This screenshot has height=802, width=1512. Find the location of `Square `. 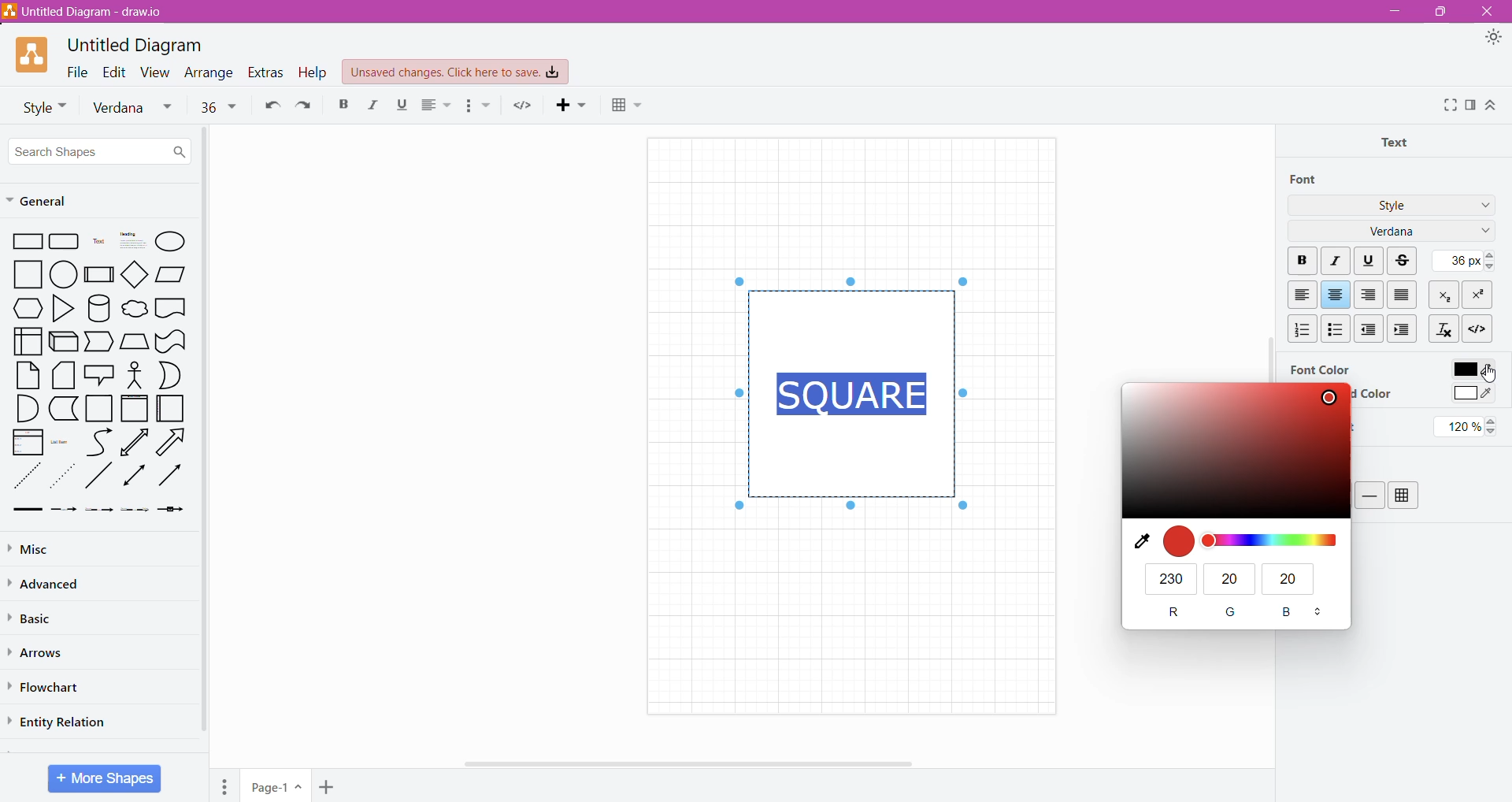

Square  is located at coordinates (98, 408).